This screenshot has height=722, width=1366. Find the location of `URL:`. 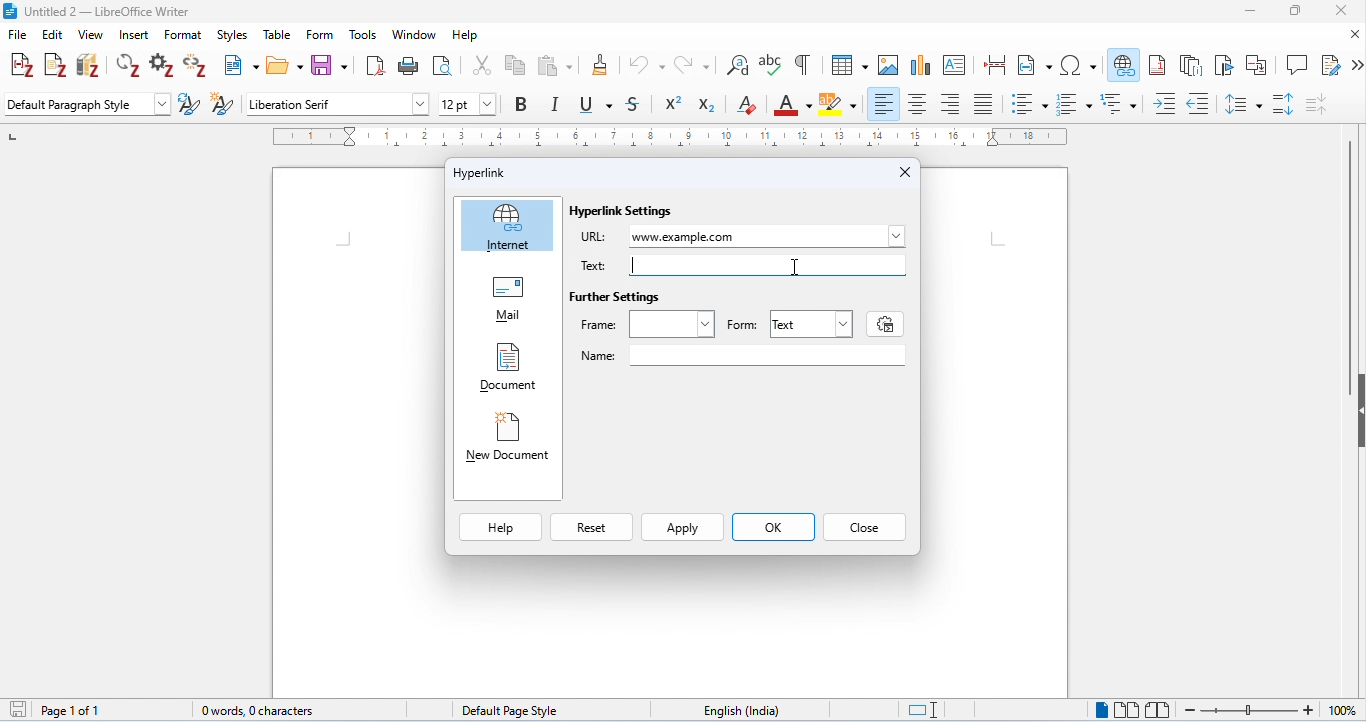

URL: is located at coordinates (596, 233).